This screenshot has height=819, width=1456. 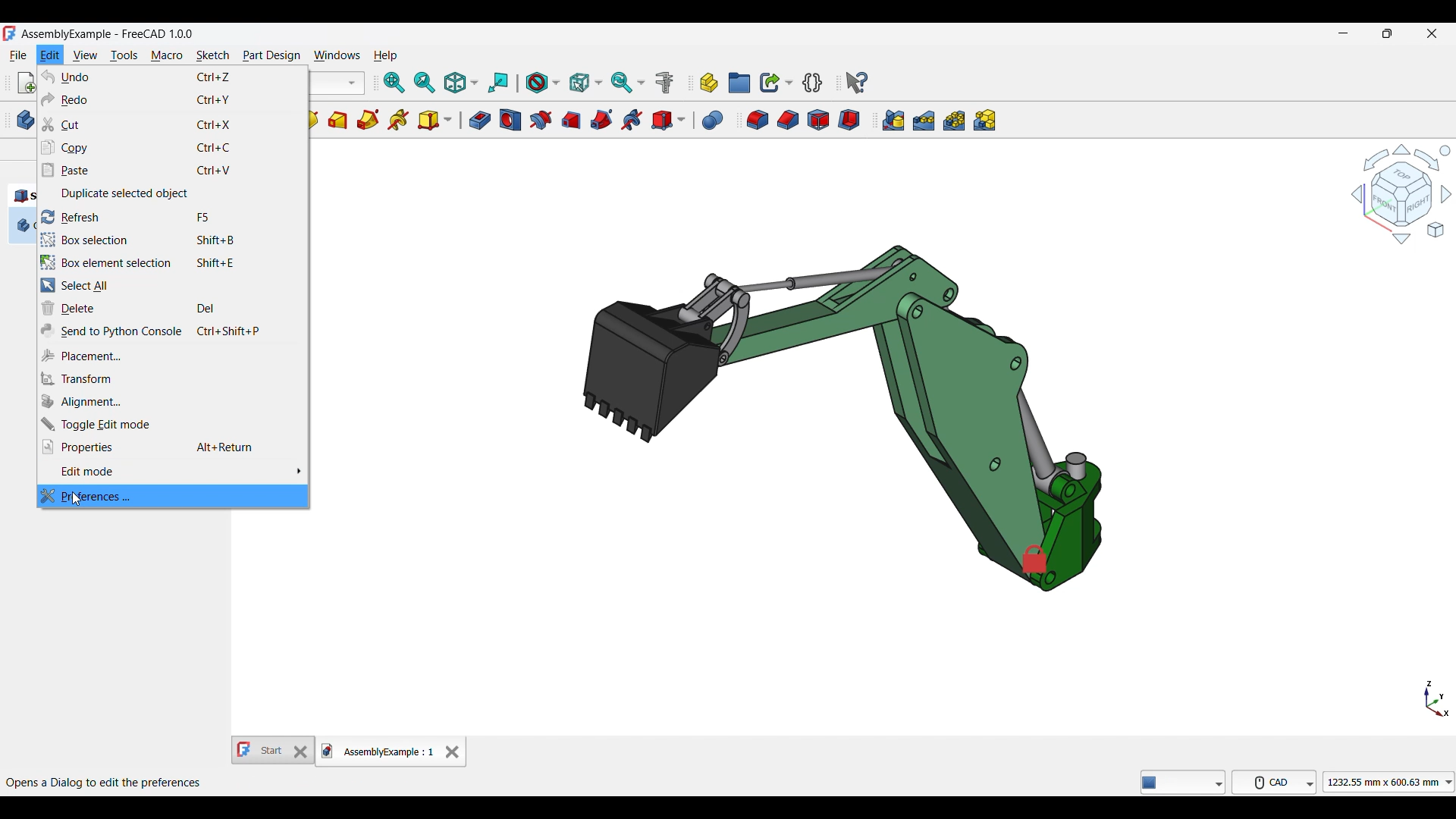 What do you see at coordinates (461, 83) in the screenshot?
I see `Isometric options` at bounding box center [461, 83].